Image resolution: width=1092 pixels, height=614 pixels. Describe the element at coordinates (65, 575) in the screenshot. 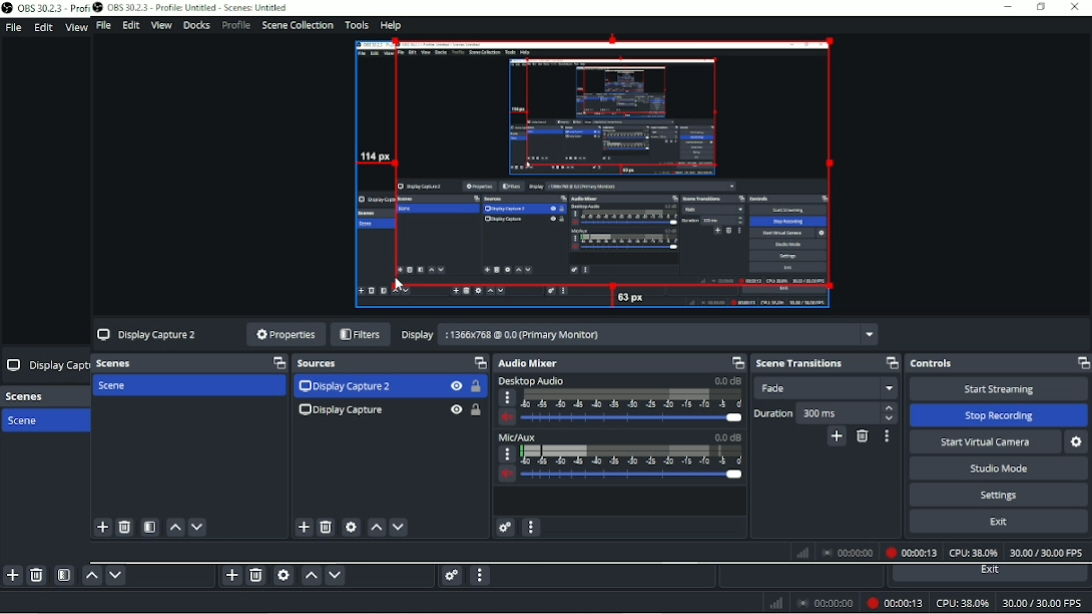

I see `Open scene filters` at that location.